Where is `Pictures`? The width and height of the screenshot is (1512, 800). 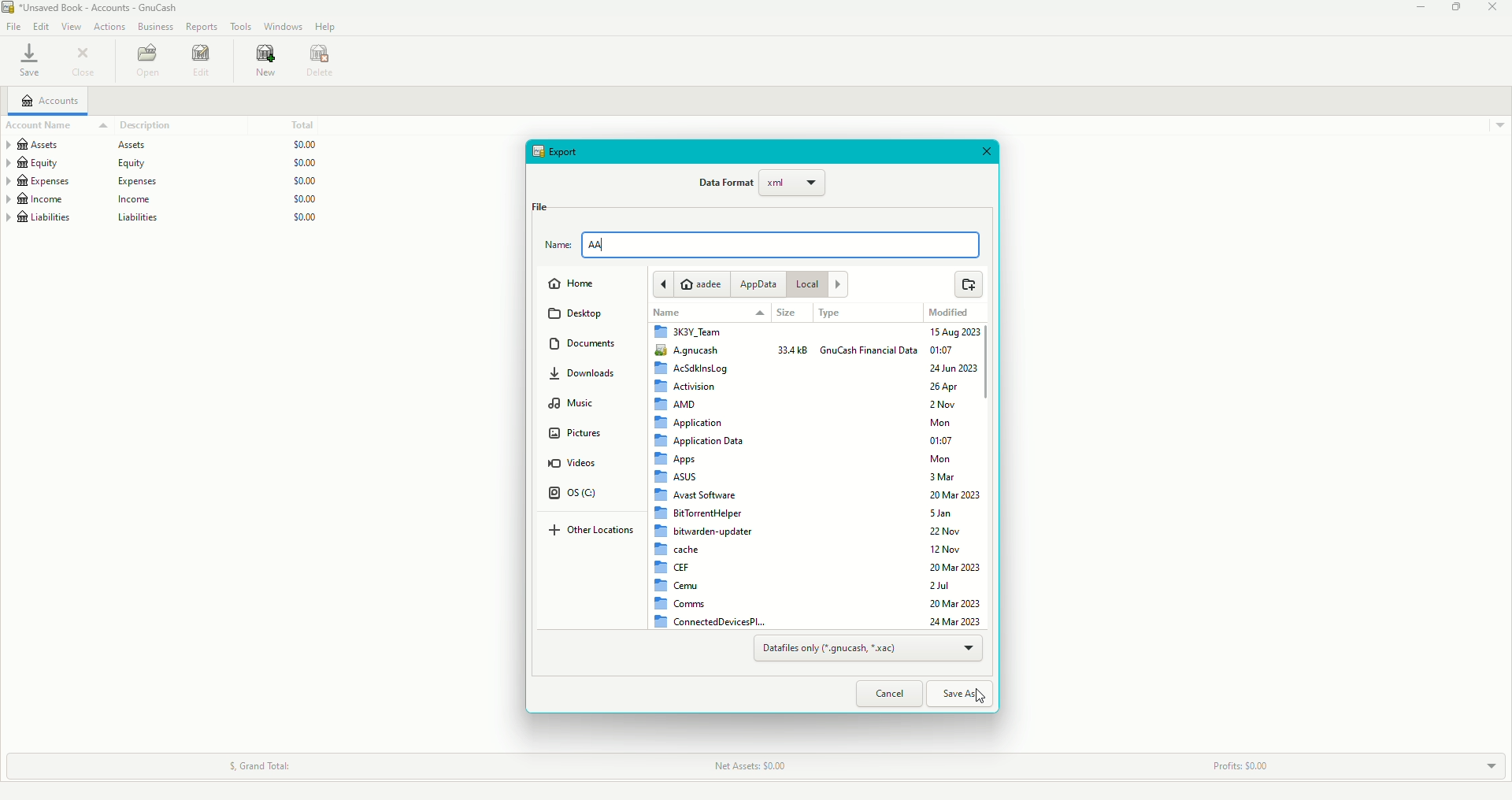
Pictures is located at coordinates (576, 436).